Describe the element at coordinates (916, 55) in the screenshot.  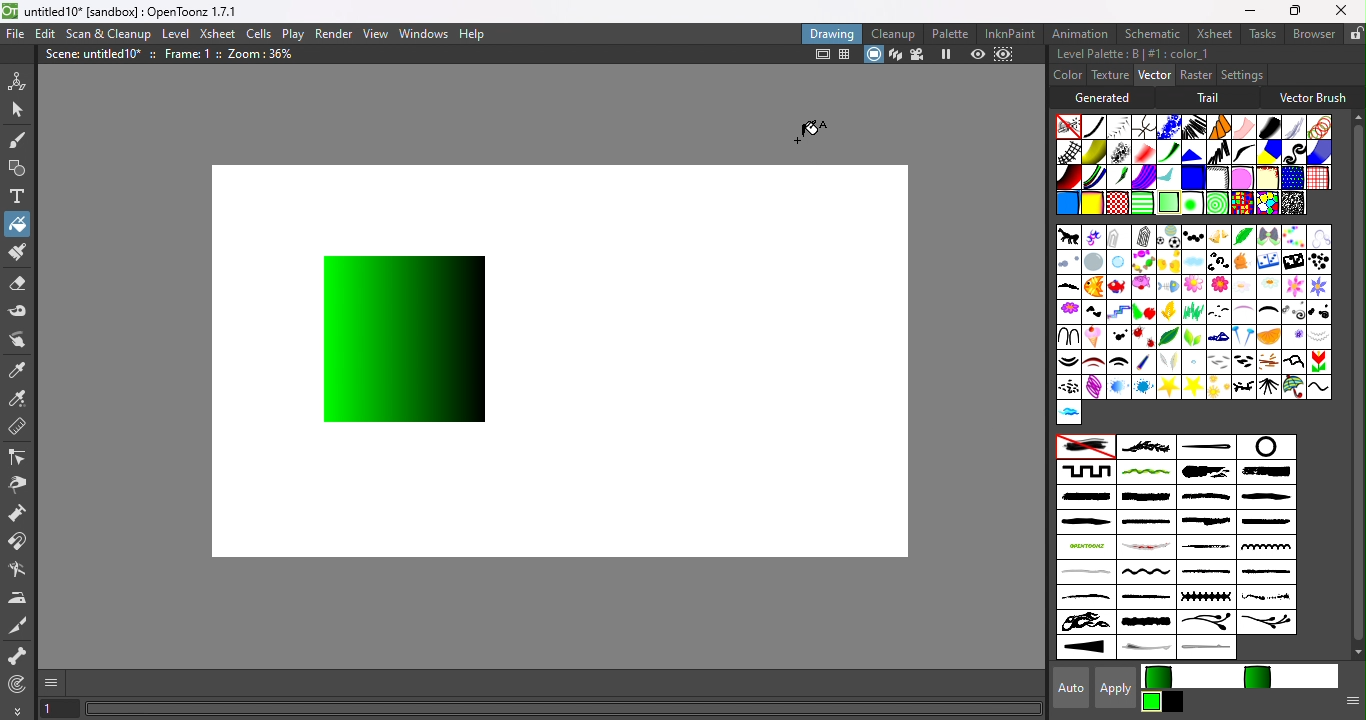
I see `Camera view` at that location.